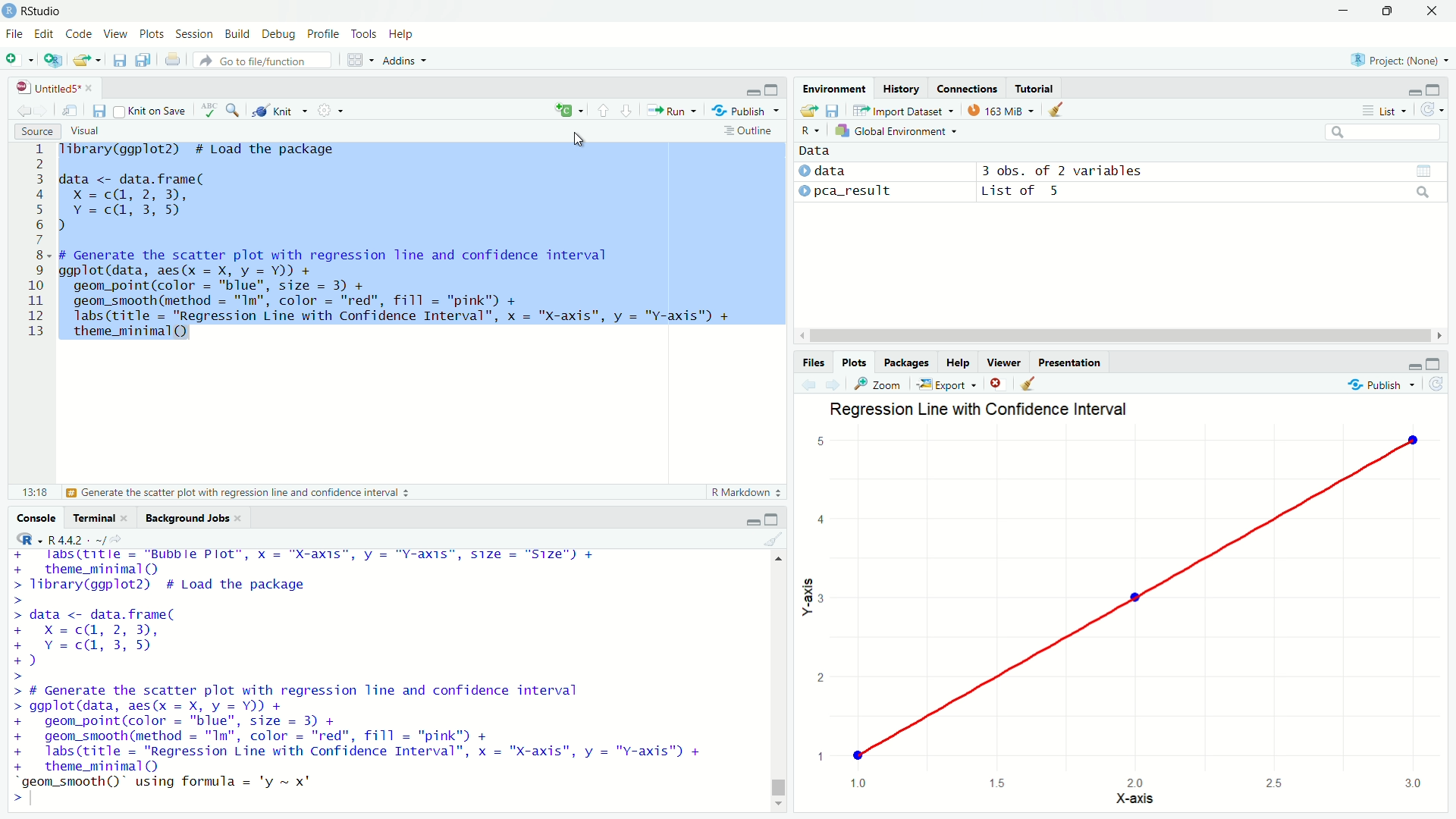 This screenshot has height=819, width=1456. What do you see at coordinates (1432, 11) in the screenshot?
I see `close` at bounding box center [1432, 11].